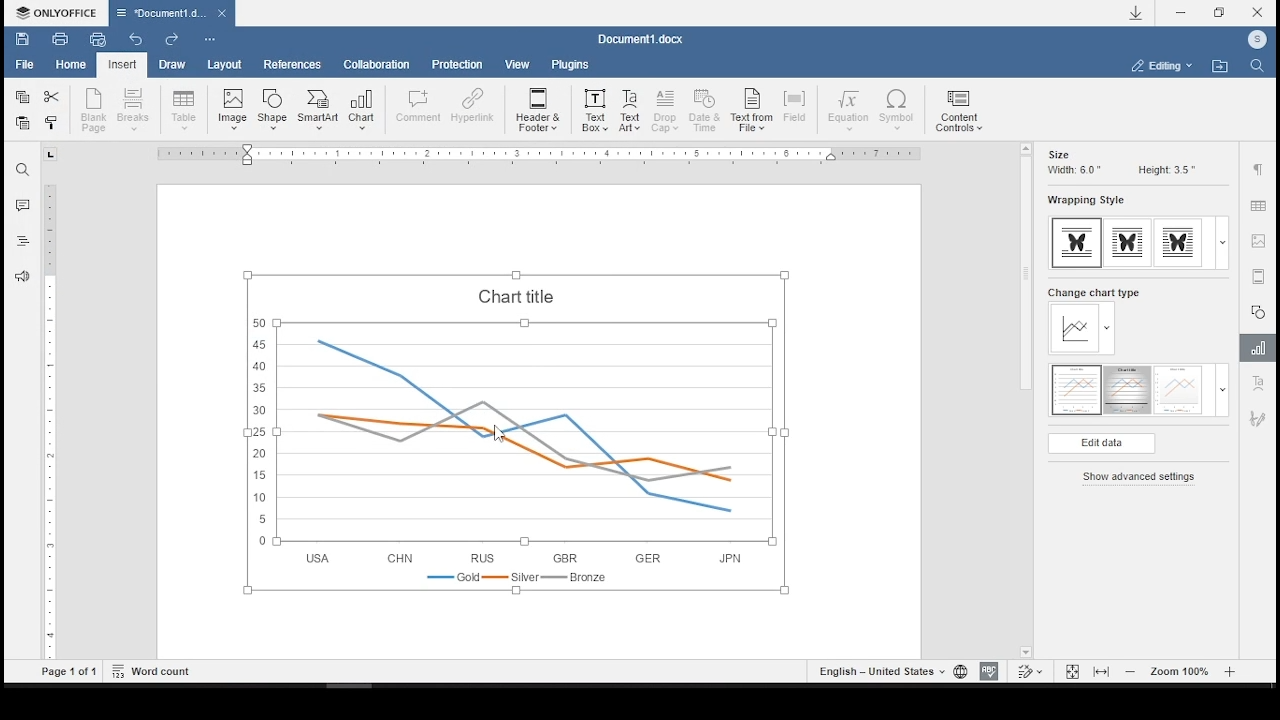 The width and height of the screenshot is (1280, 720). I want to click on table settings, so click(1257, 207).